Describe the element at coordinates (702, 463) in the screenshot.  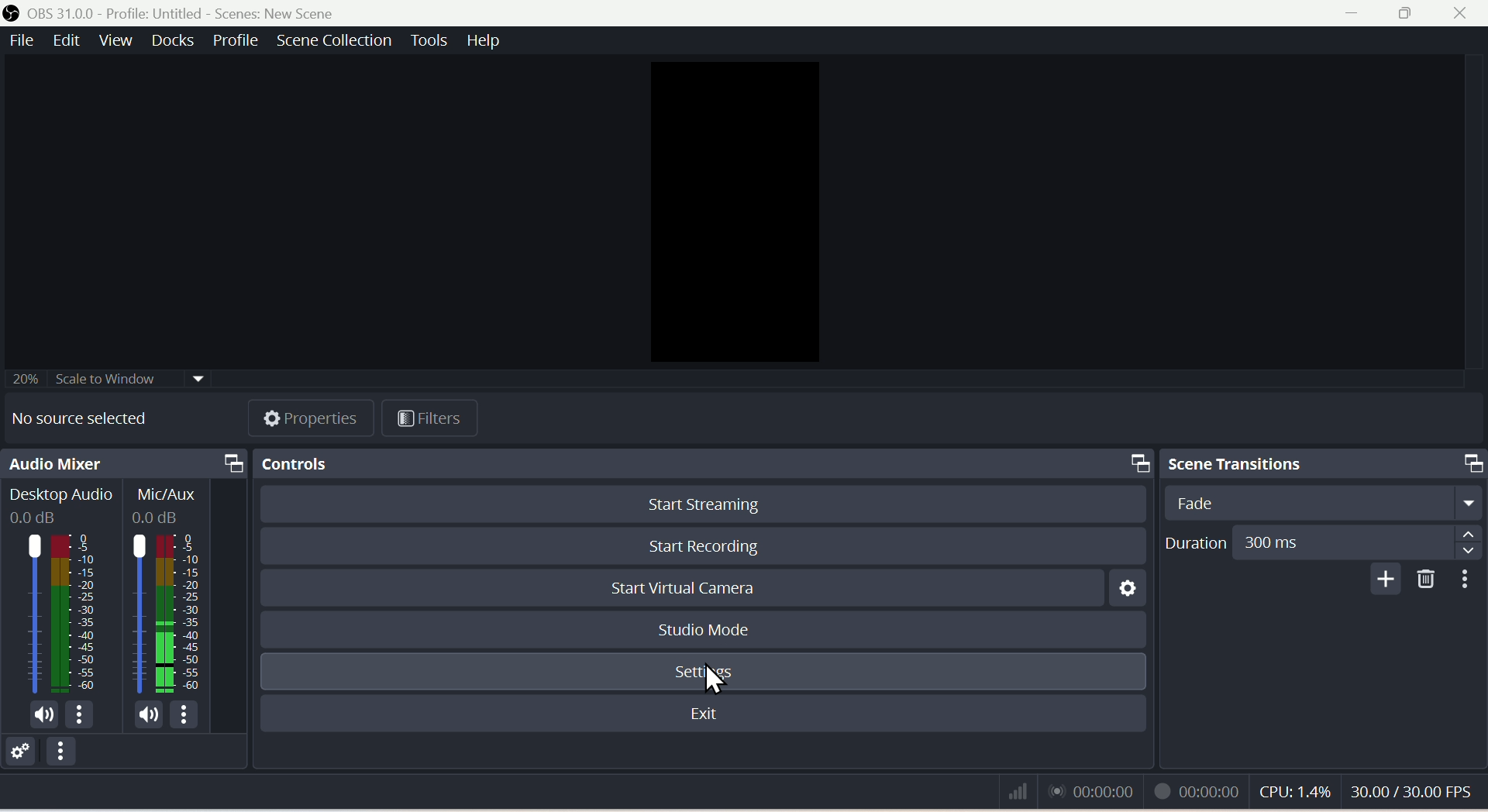
I see `Control` at that location.